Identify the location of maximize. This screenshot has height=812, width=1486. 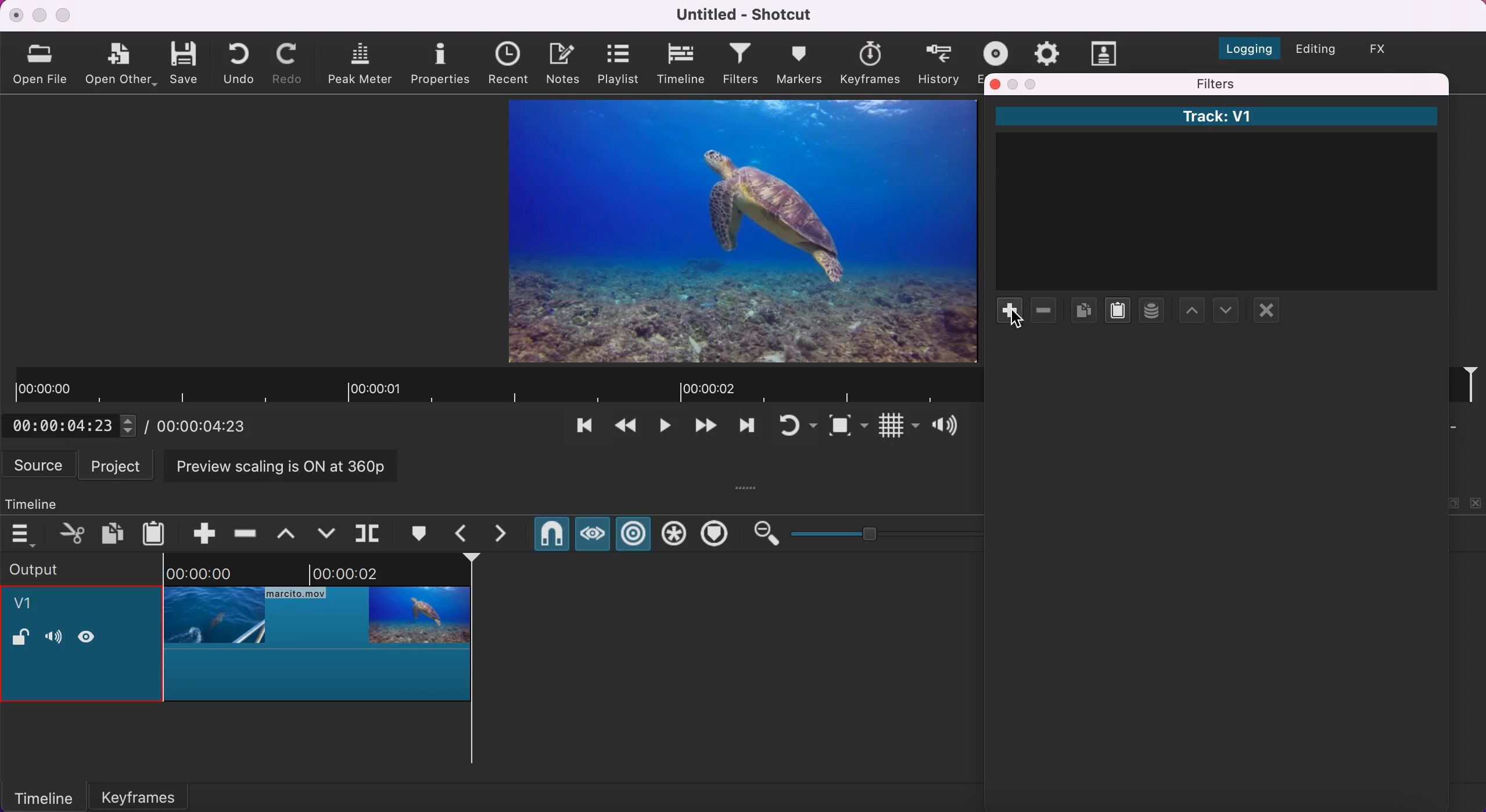
(65, 15).